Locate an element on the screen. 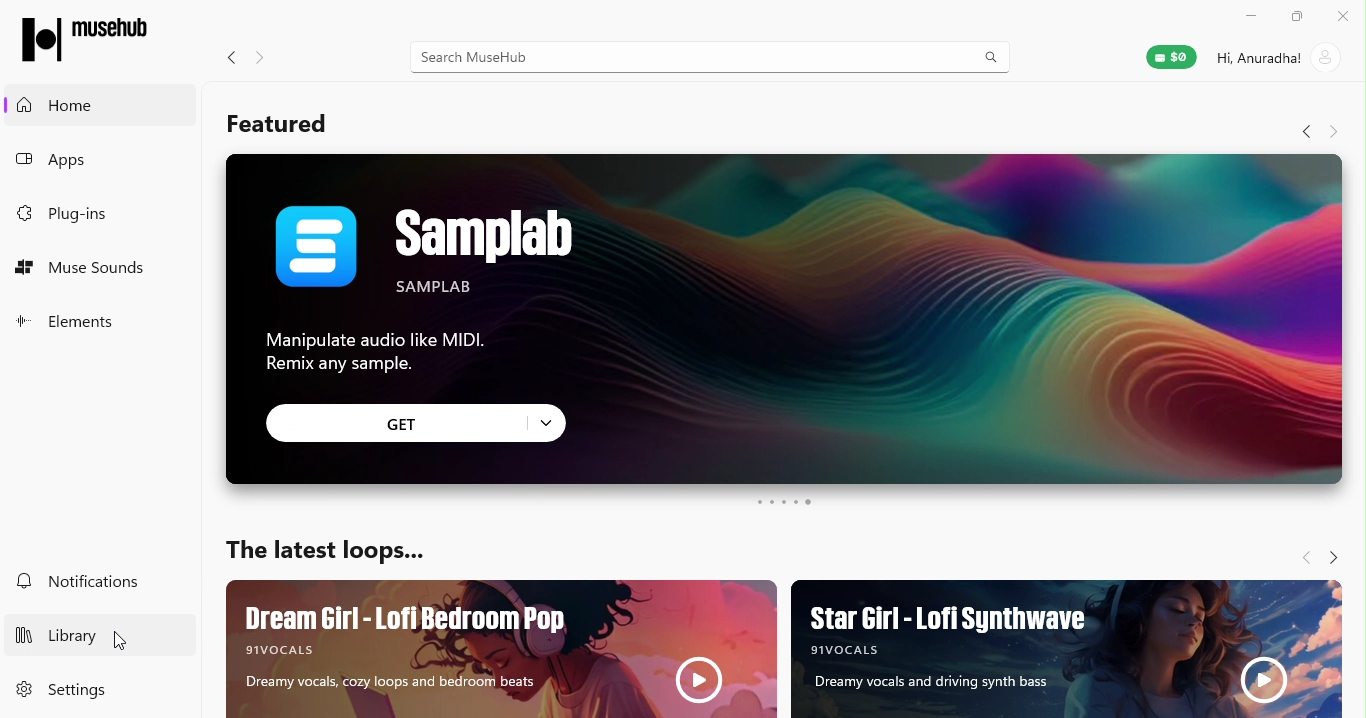 The height and width of the screenshot is (718, 1366). Library is located at coordinates (90, 631).